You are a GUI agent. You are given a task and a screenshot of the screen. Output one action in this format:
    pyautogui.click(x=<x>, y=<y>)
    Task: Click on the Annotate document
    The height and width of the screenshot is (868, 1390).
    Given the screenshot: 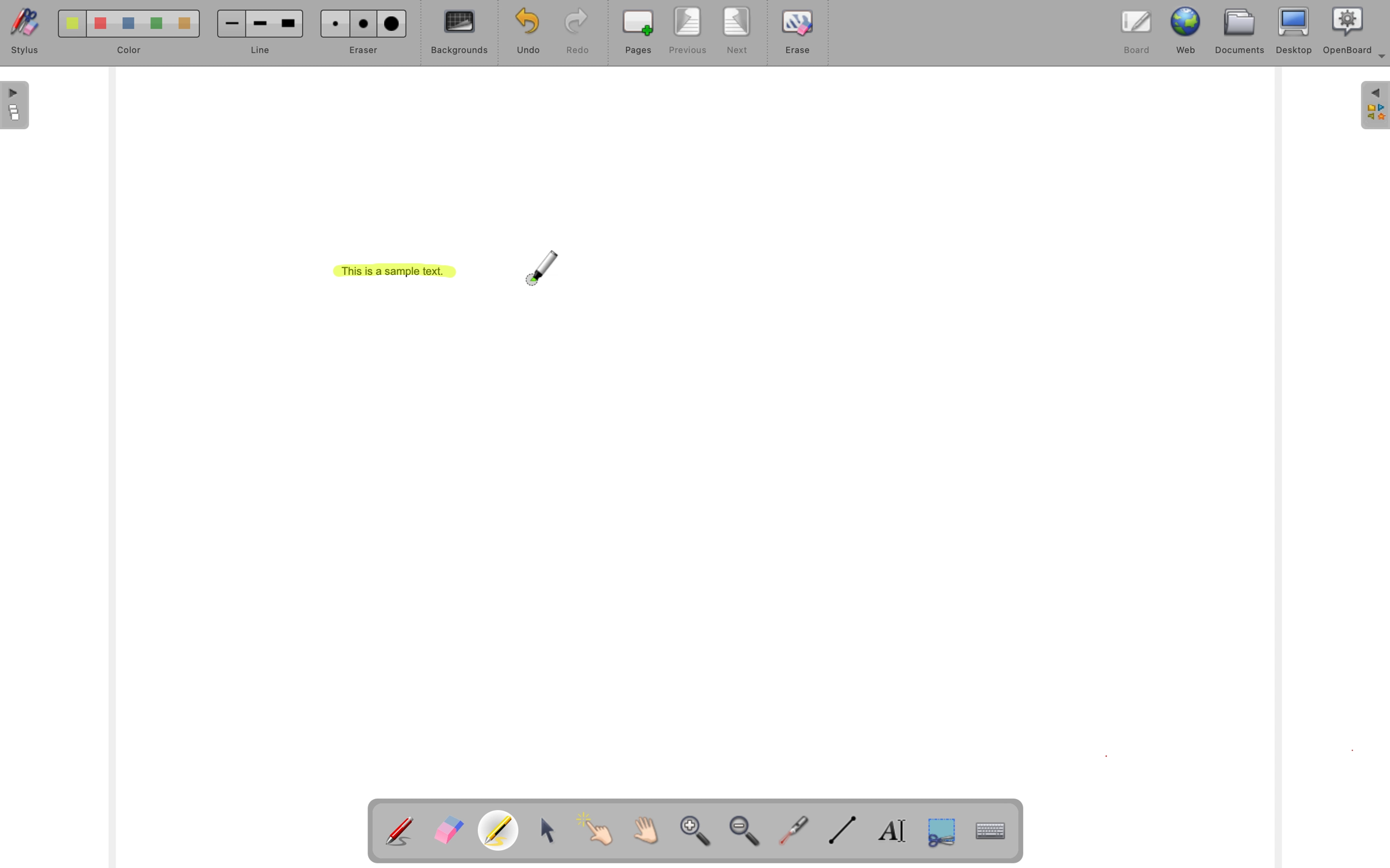 What is the action you would take?
    pyautogui.click(x=400, y=828)
    